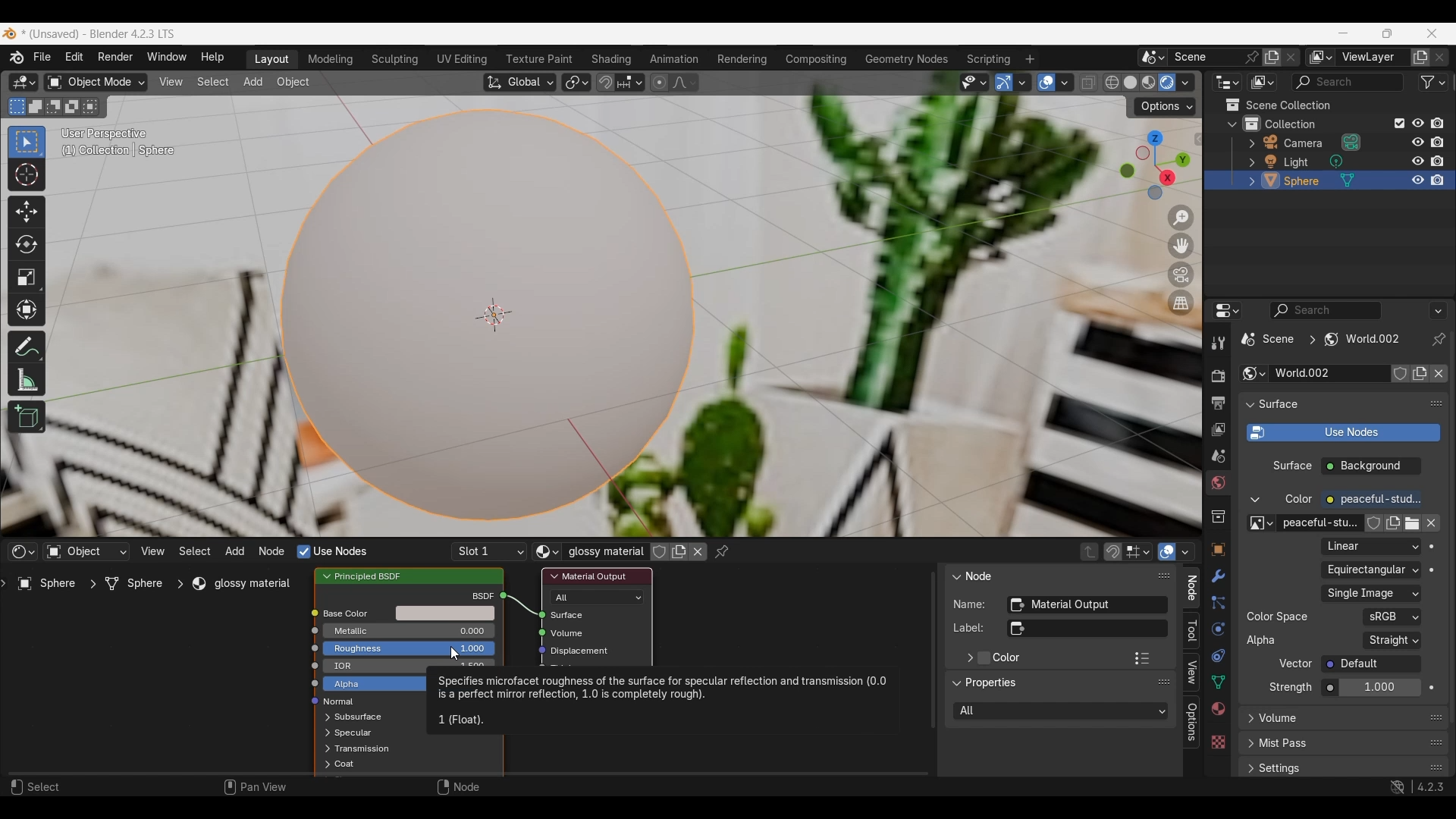  I want to click on Select, so click(43, 786).